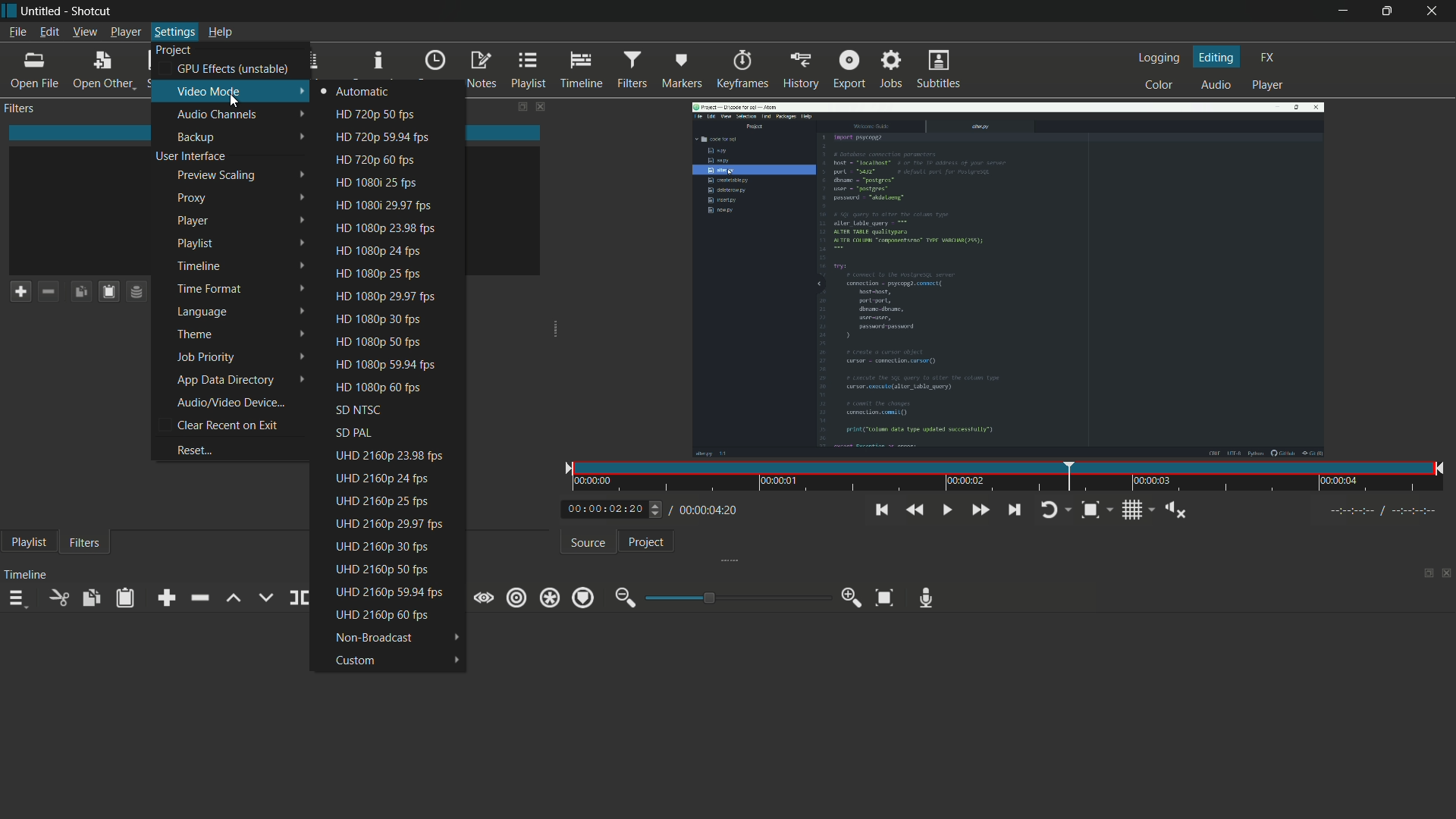 The width and height of the screenshot is (1456, 819). I want to click on record audio, so click(927, 598).